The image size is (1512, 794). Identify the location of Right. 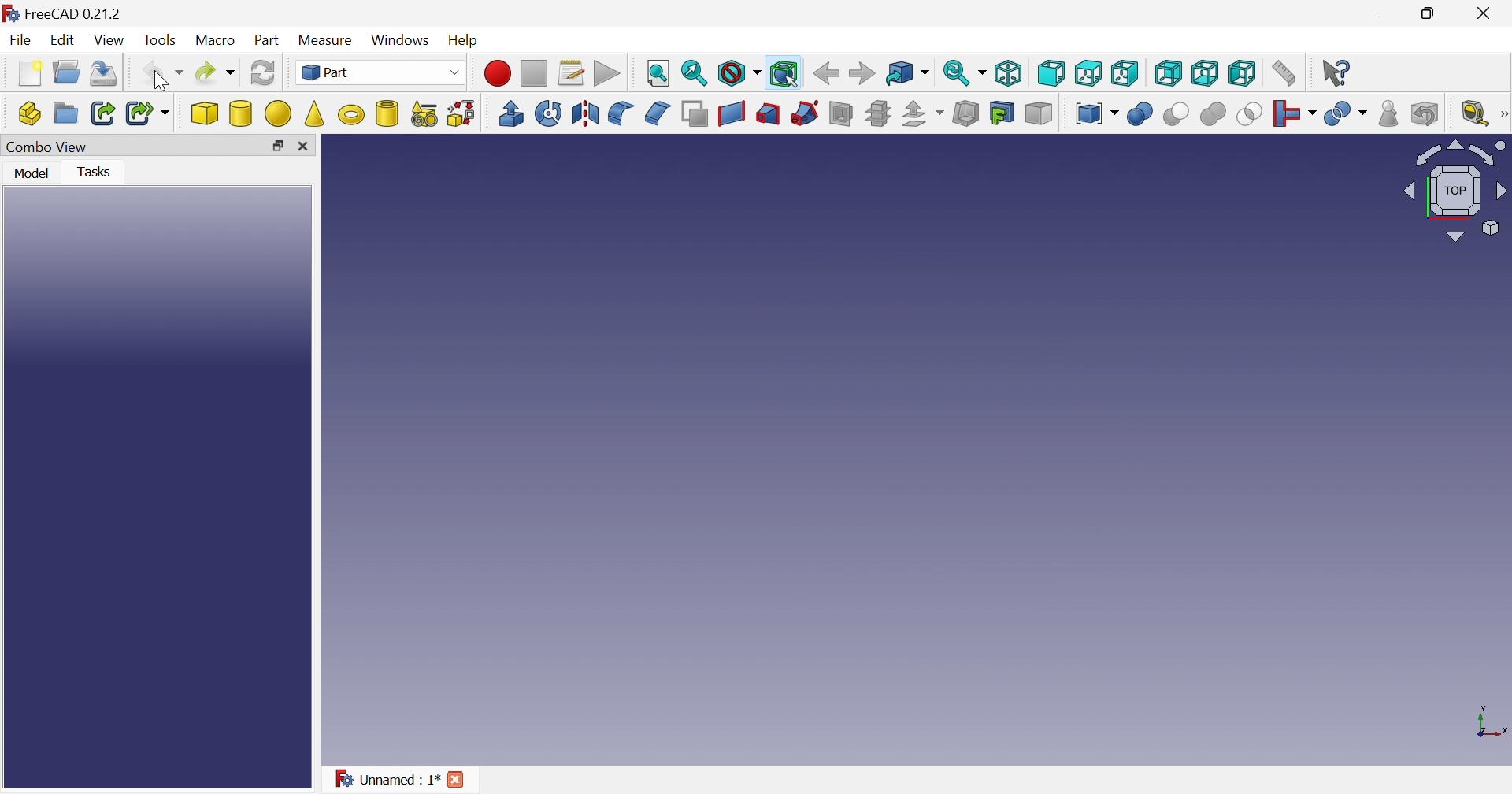
(1124, 74).